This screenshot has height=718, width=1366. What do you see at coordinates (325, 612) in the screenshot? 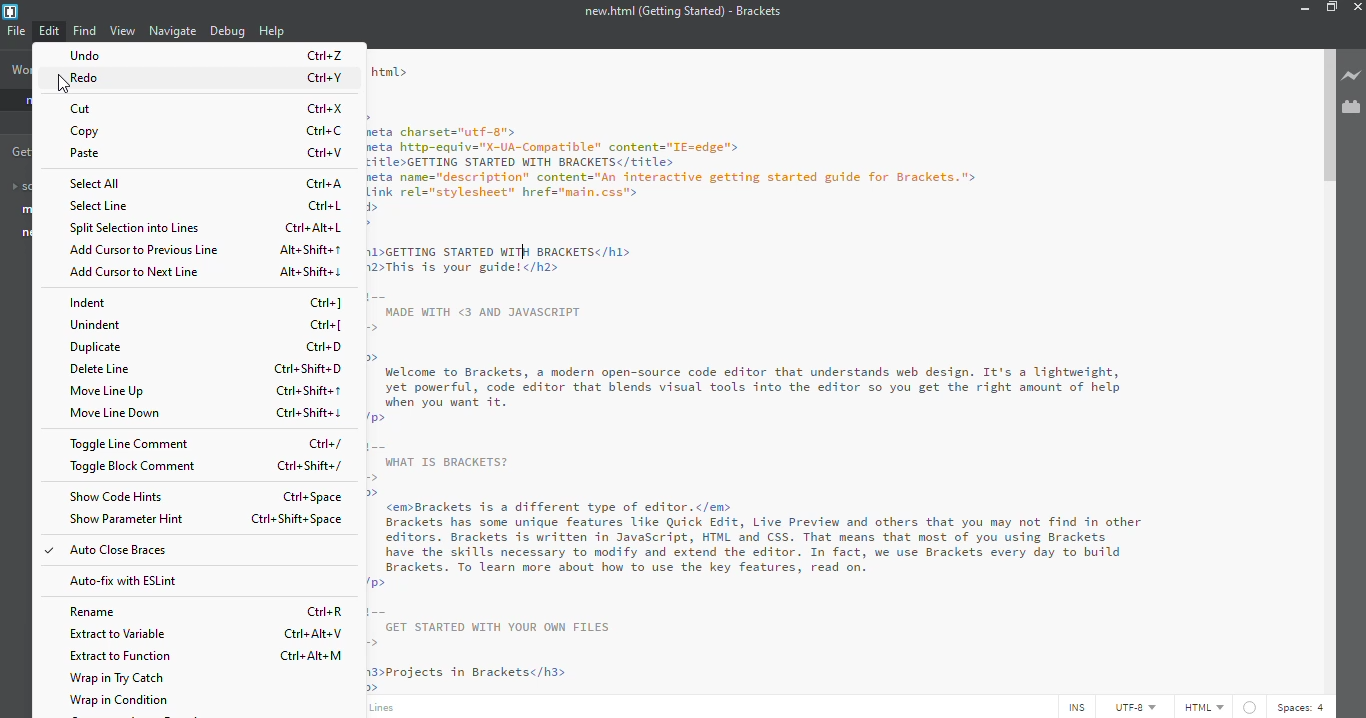
I see `ctrl+r` at bounding box center [325, 612].